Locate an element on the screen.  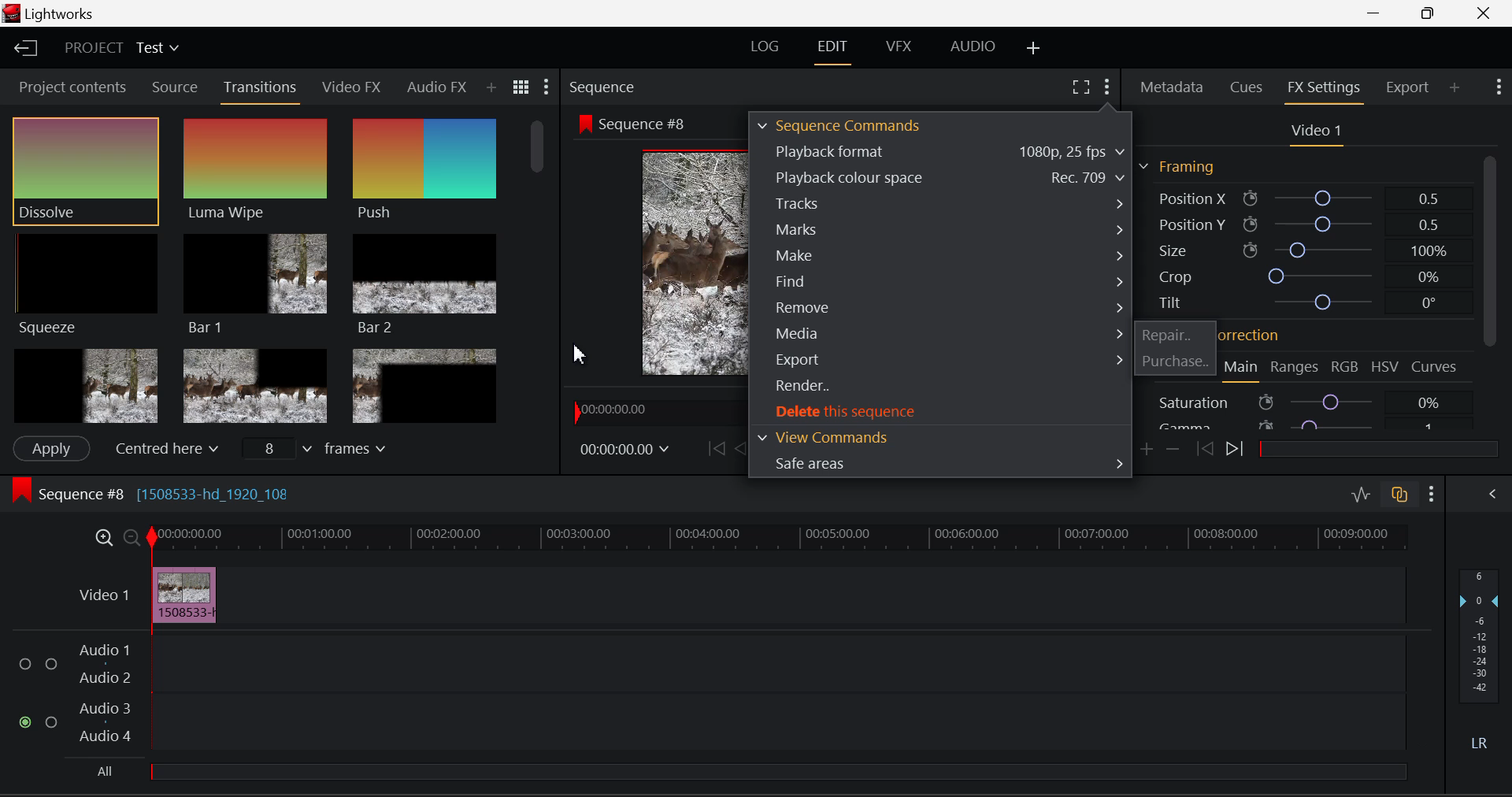
Sequence #8 [1508533-hd_1920_108 is located at coordinates (198, 493).